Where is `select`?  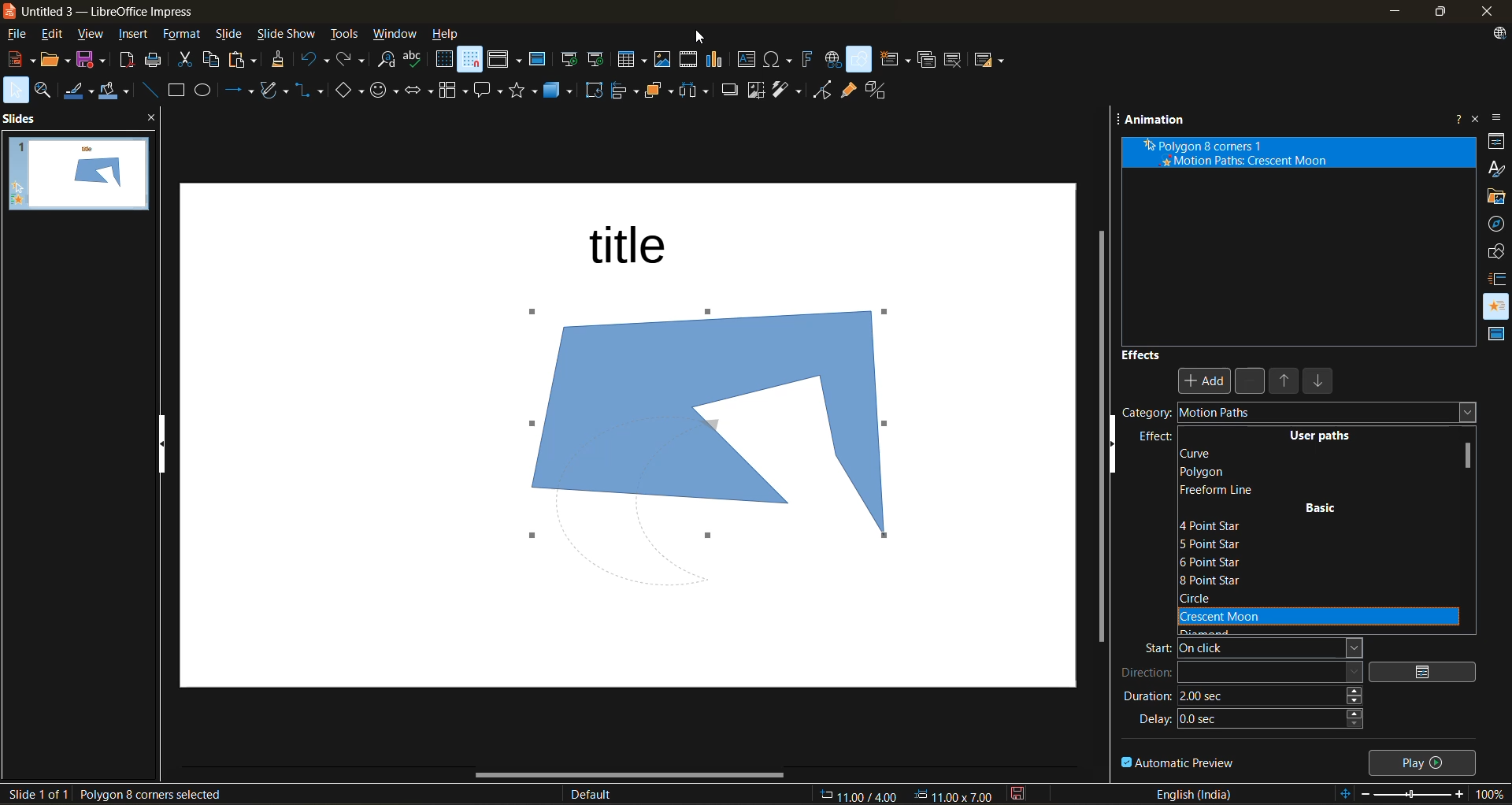
select is located at coordinates (17, 90).